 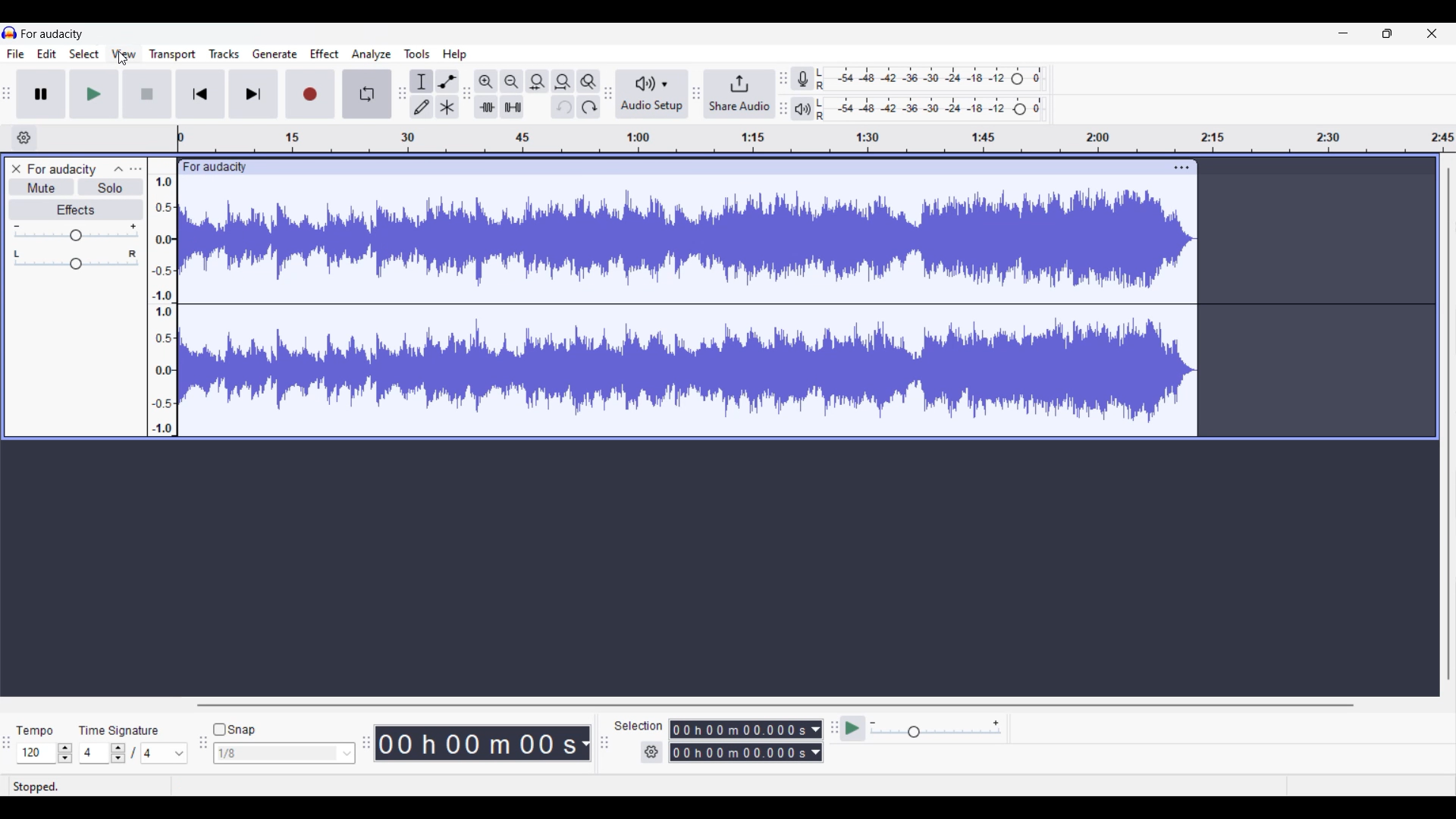 What do you see at coordinates (235, 730) in the screenshot?
I see `Snap toggle` at bounding box center [235, 730].